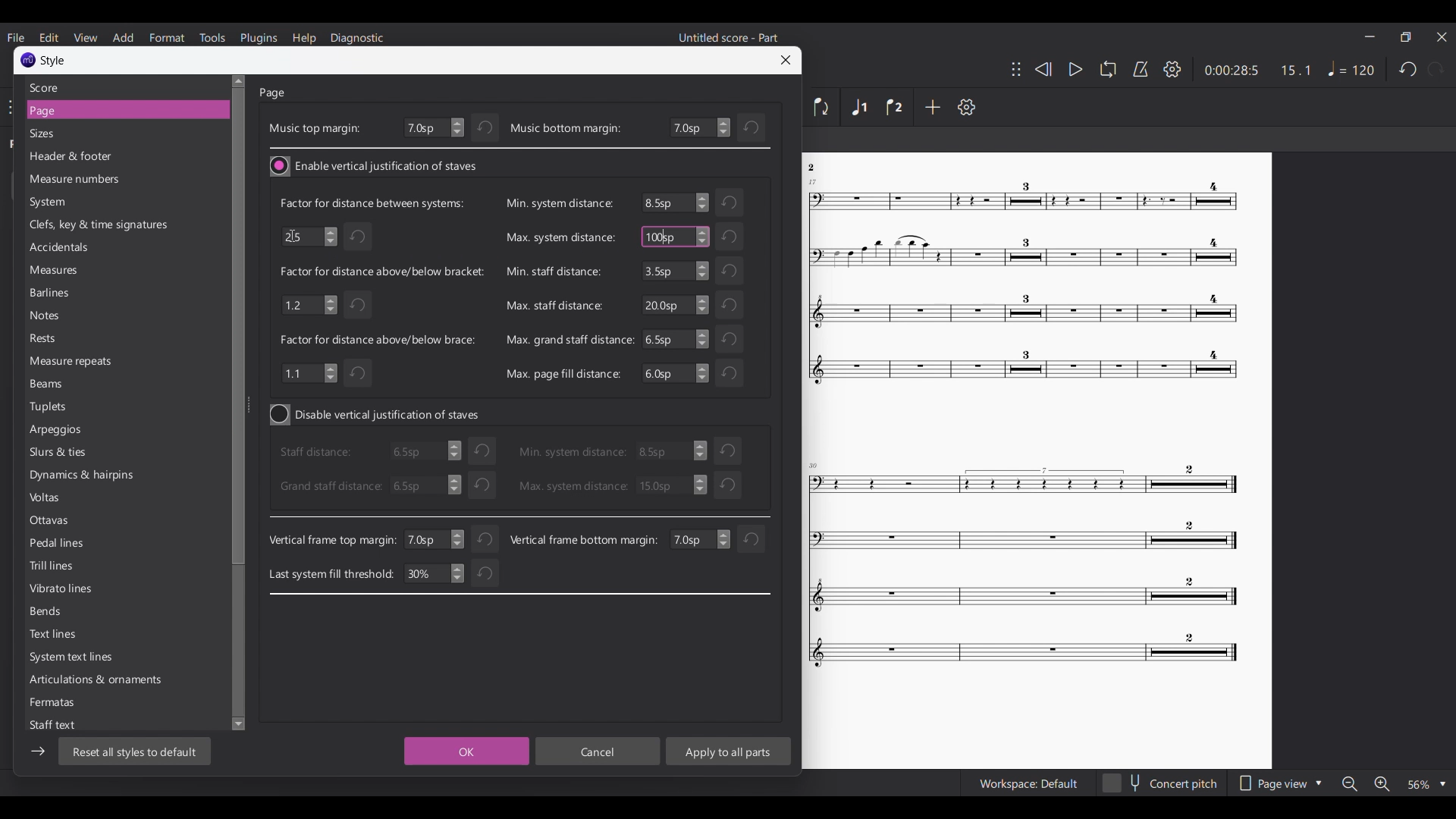  What do you see at coordinates (94, 681) in the screenshot?
I see `Articulations & ornaments` at bounding box center [94, 681].